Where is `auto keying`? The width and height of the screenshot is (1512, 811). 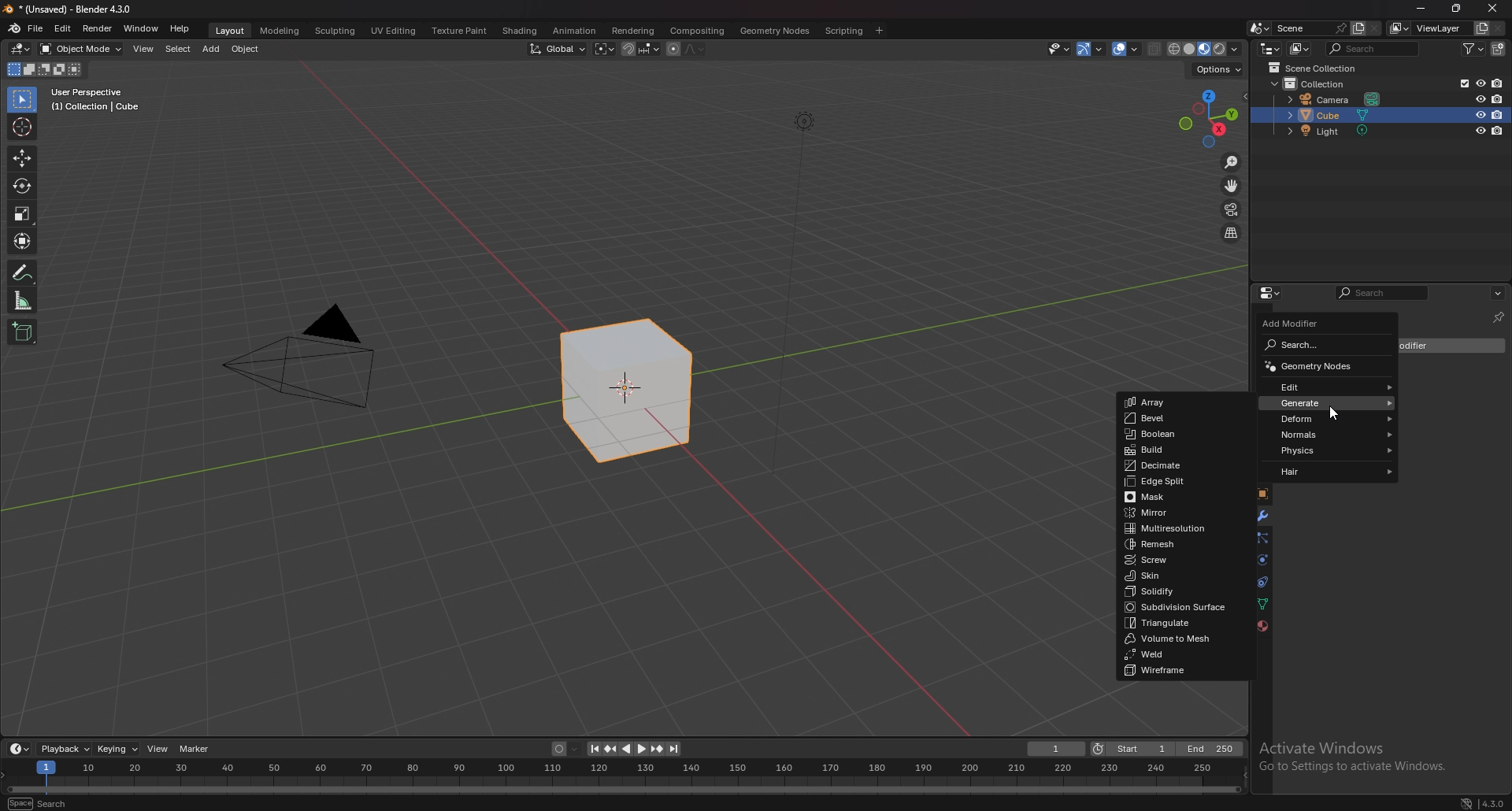 auto keying is located at coordinates (566, 750).